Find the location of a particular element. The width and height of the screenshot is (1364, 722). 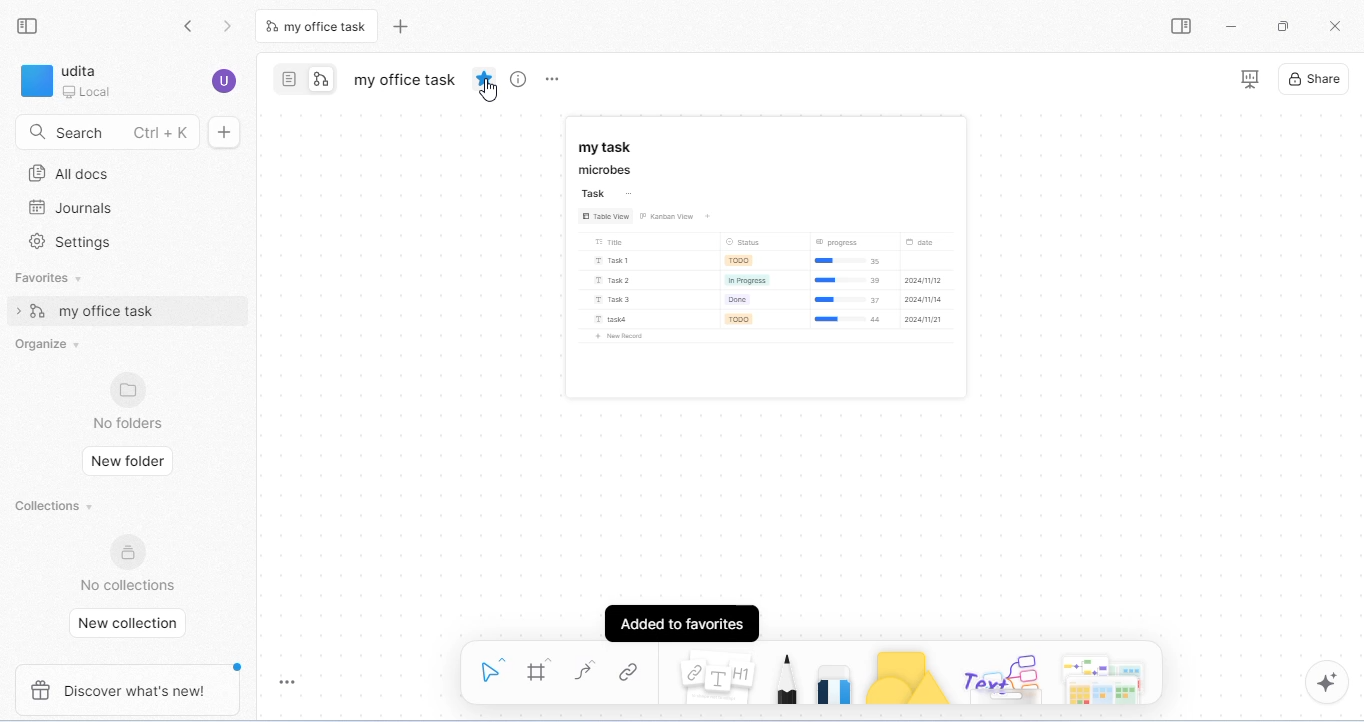

go back is located at coordinates (191, 28).